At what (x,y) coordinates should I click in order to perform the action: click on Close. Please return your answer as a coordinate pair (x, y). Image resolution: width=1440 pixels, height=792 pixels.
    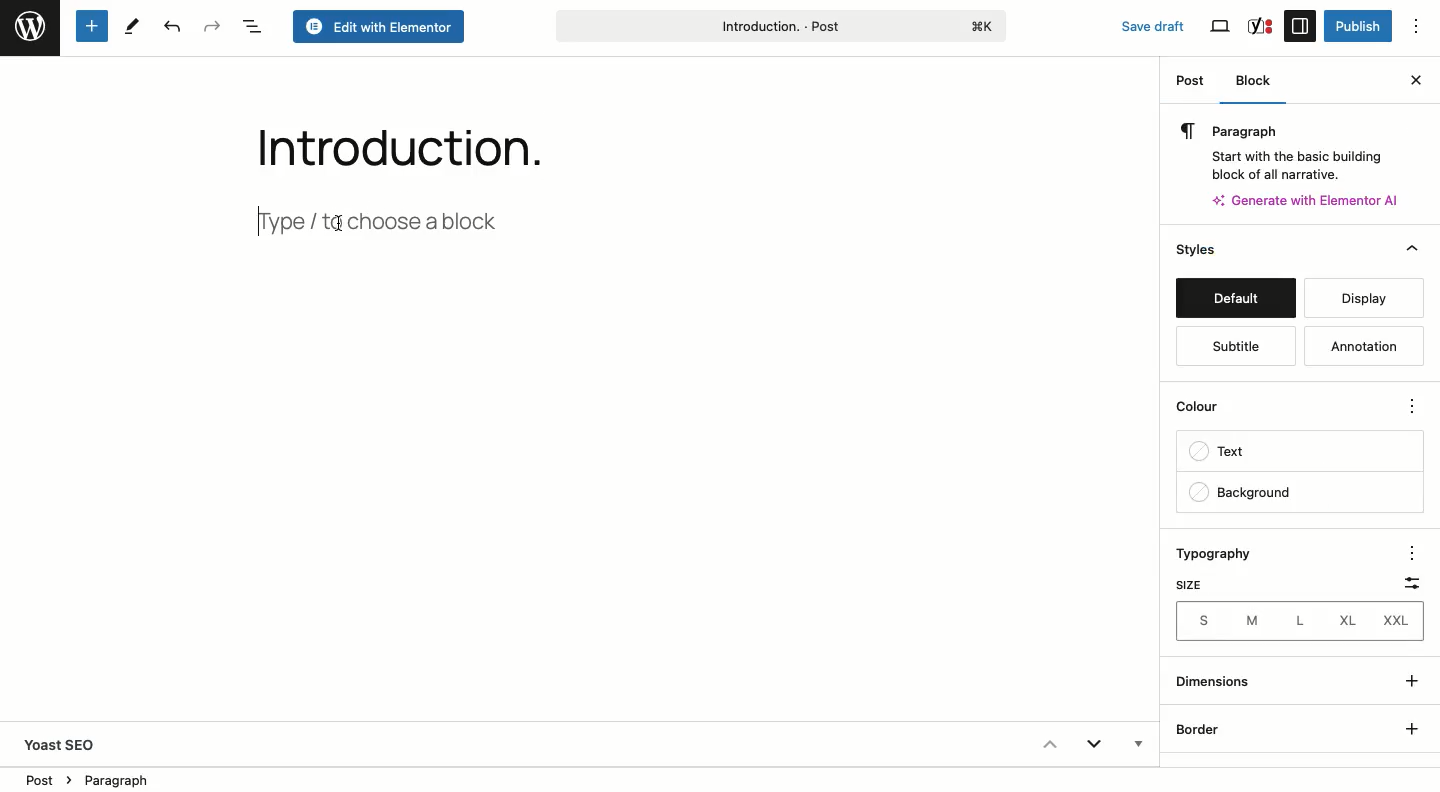
    Looking at the image, I should click on (1415, 78).